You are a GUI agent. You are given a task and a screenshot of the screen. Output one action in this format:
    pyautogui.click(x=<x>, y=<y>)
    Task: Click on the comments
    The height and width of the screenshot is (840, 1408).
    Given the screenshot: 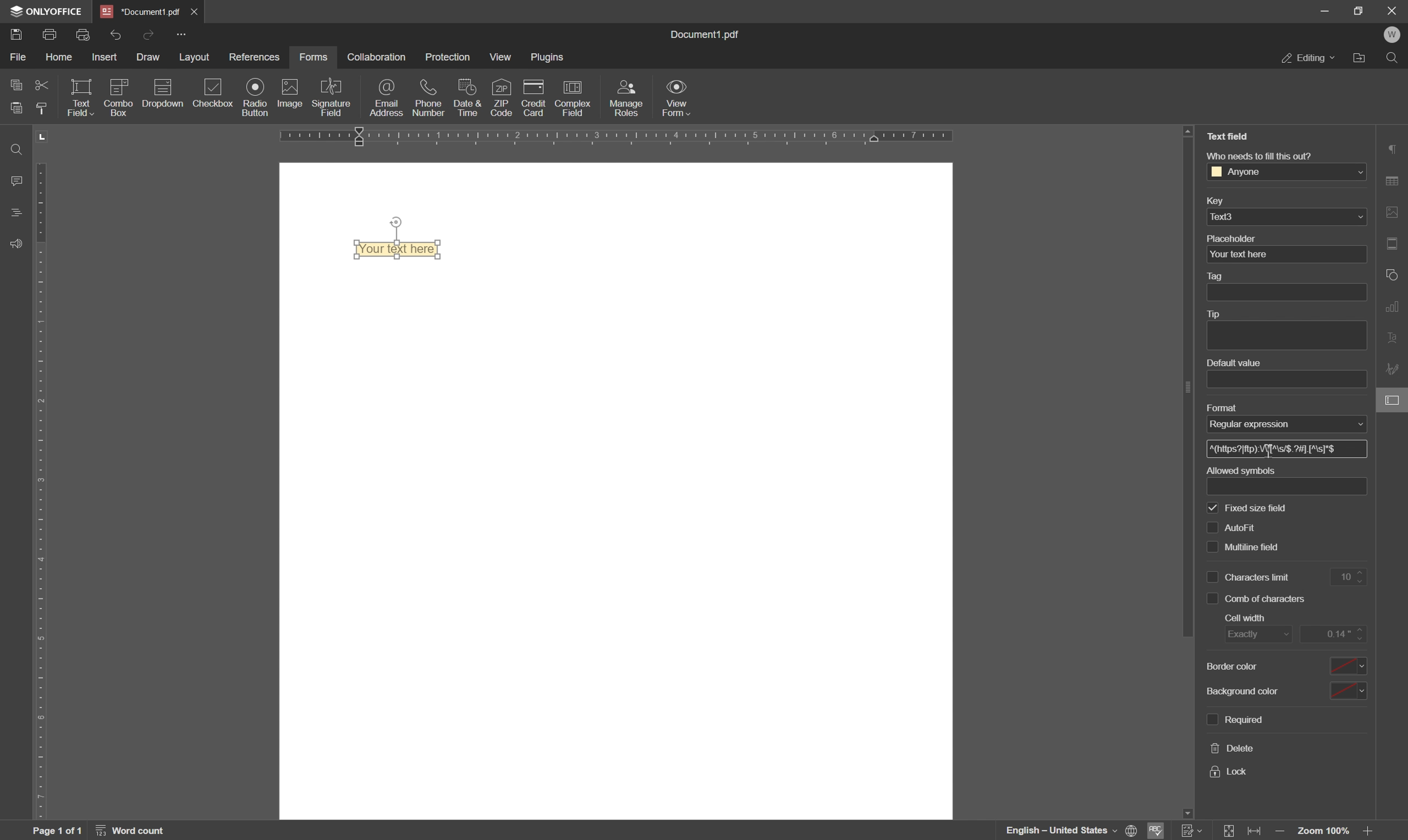 What is the action you would take?
    pyautogui.click(x=14, y=180)
    